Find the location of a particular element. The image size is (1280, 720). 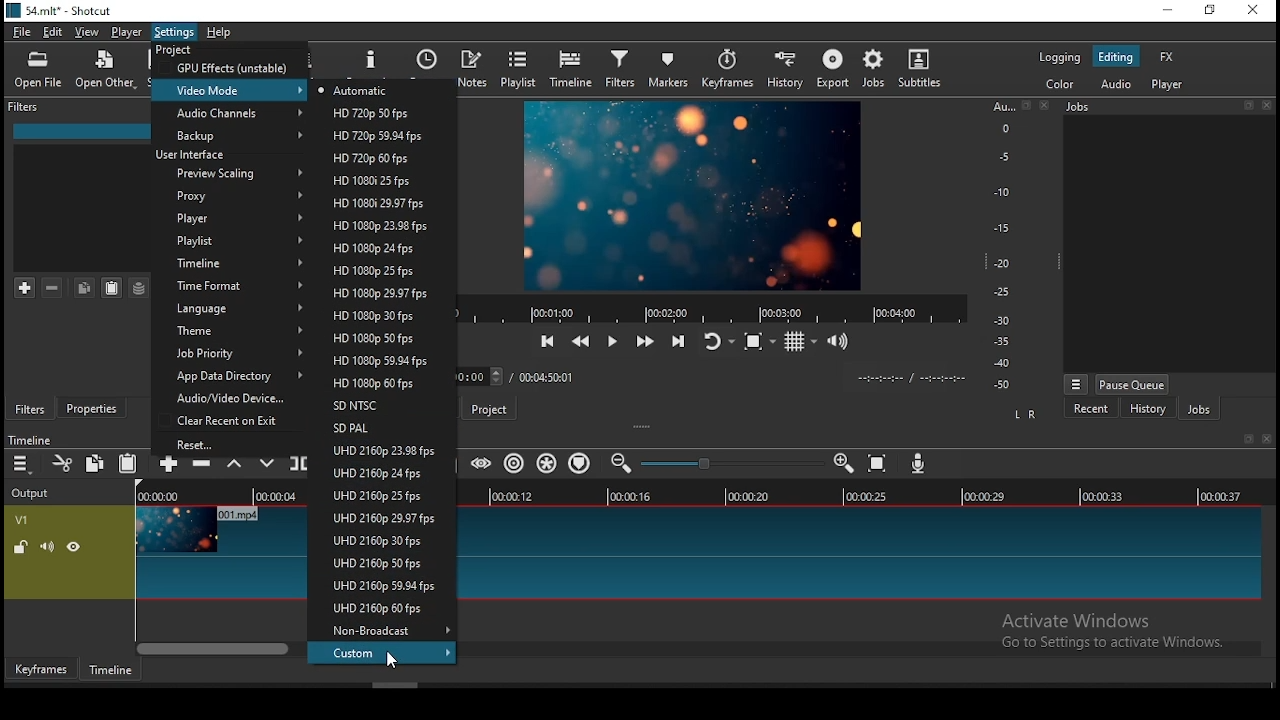

-15 is located at coordinates (1000, 227).